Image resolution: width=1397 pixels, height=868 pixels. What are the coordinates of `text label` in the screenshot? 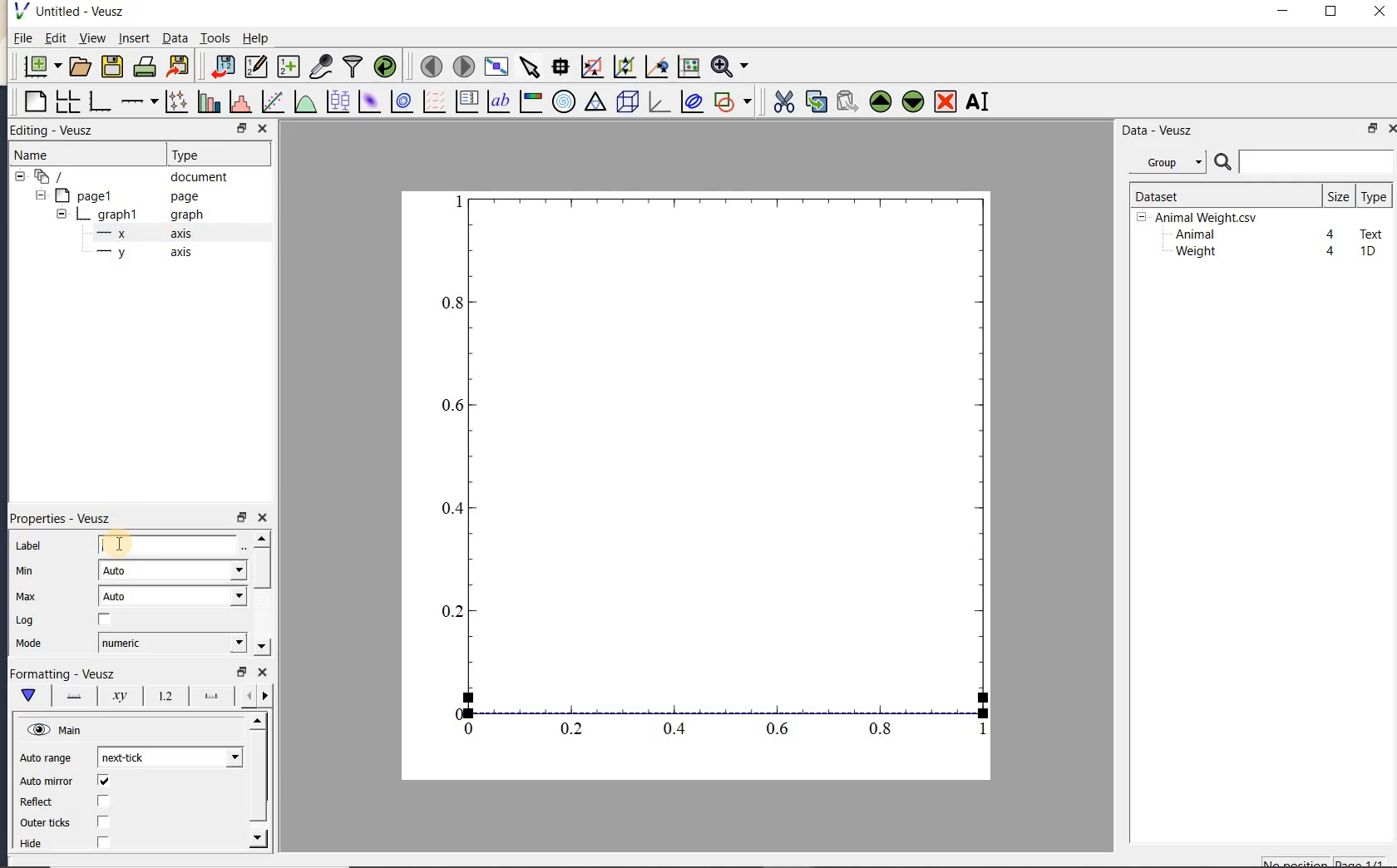 It's located at (498, 103).